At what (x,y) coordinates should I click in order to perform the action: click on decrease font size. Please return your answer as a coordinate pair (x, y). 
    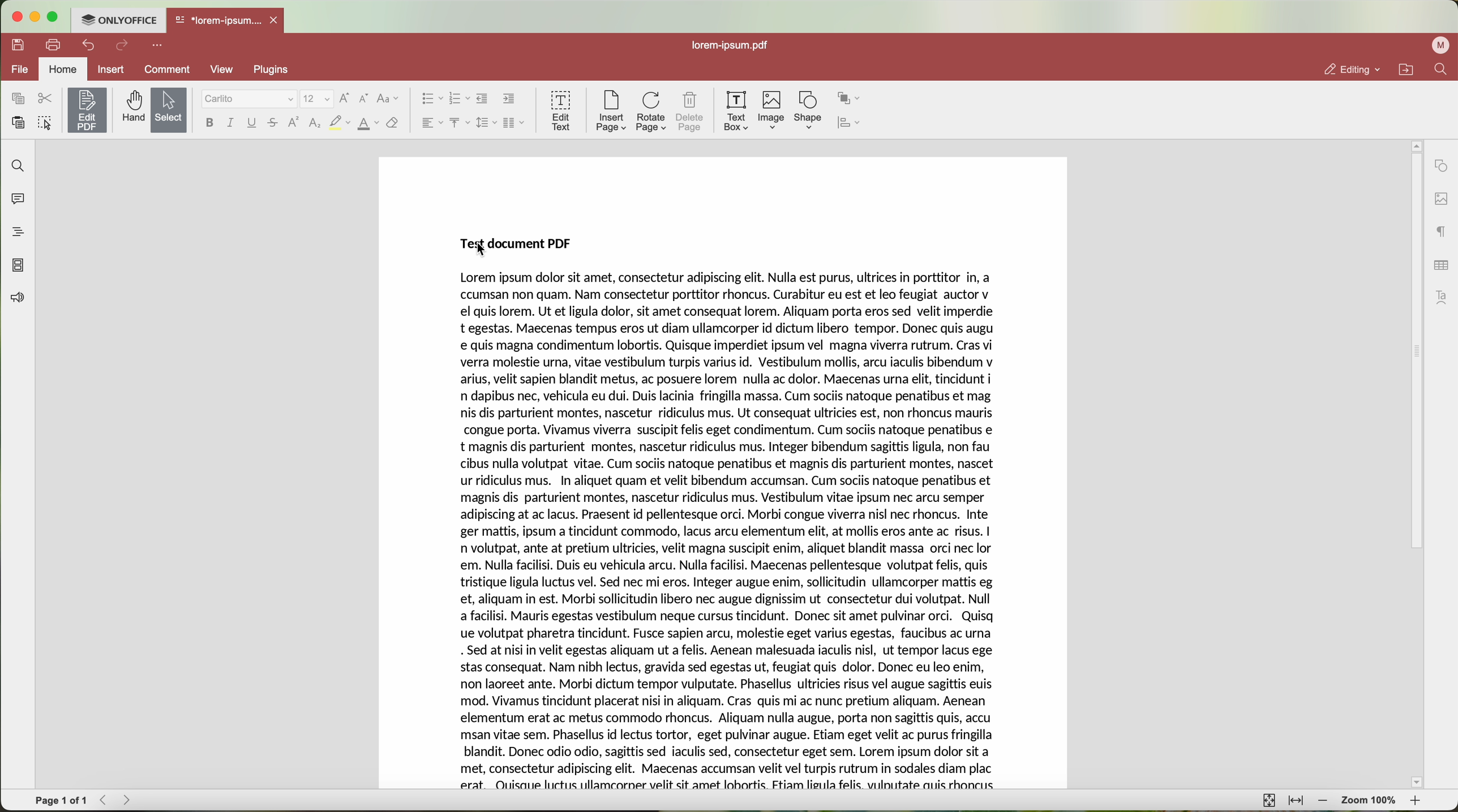
    Looking at the image, I should click on (366, 98).